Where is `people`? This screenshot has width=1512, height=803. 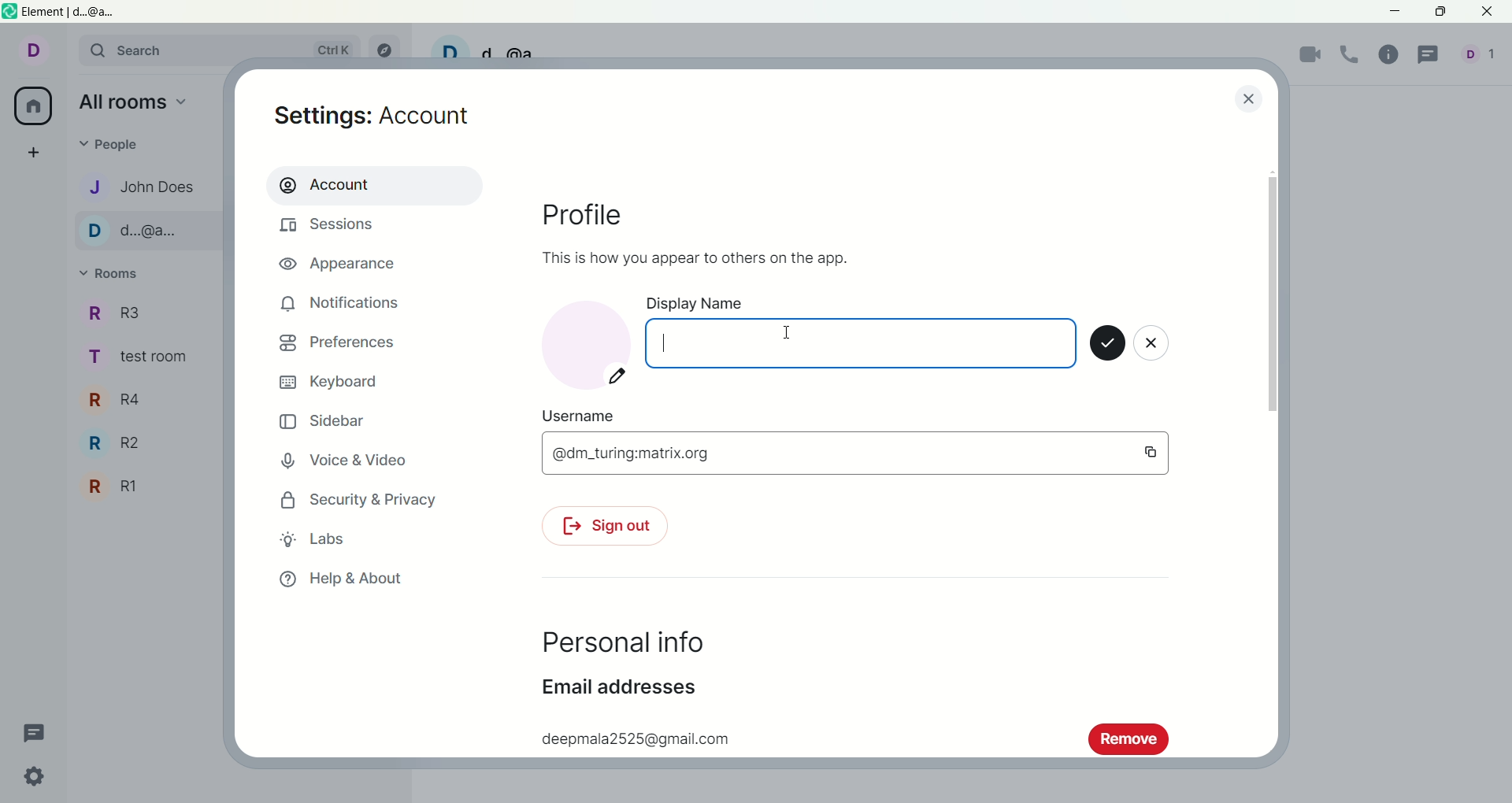
people is located at coordinates (120, 146).